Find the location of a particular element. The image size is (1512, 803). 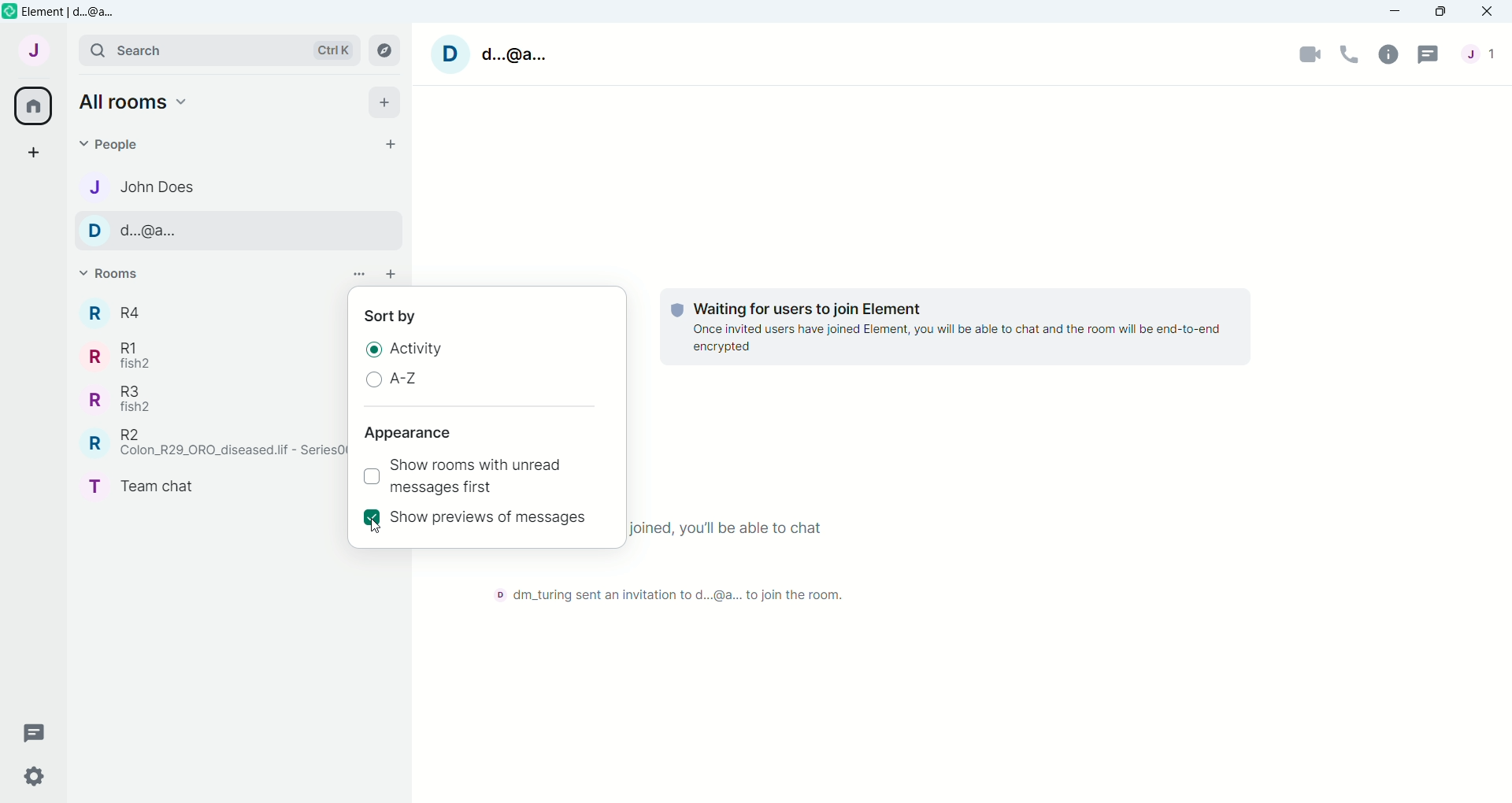

Show rooms with unread messages first is located at coordinates (478, 478).